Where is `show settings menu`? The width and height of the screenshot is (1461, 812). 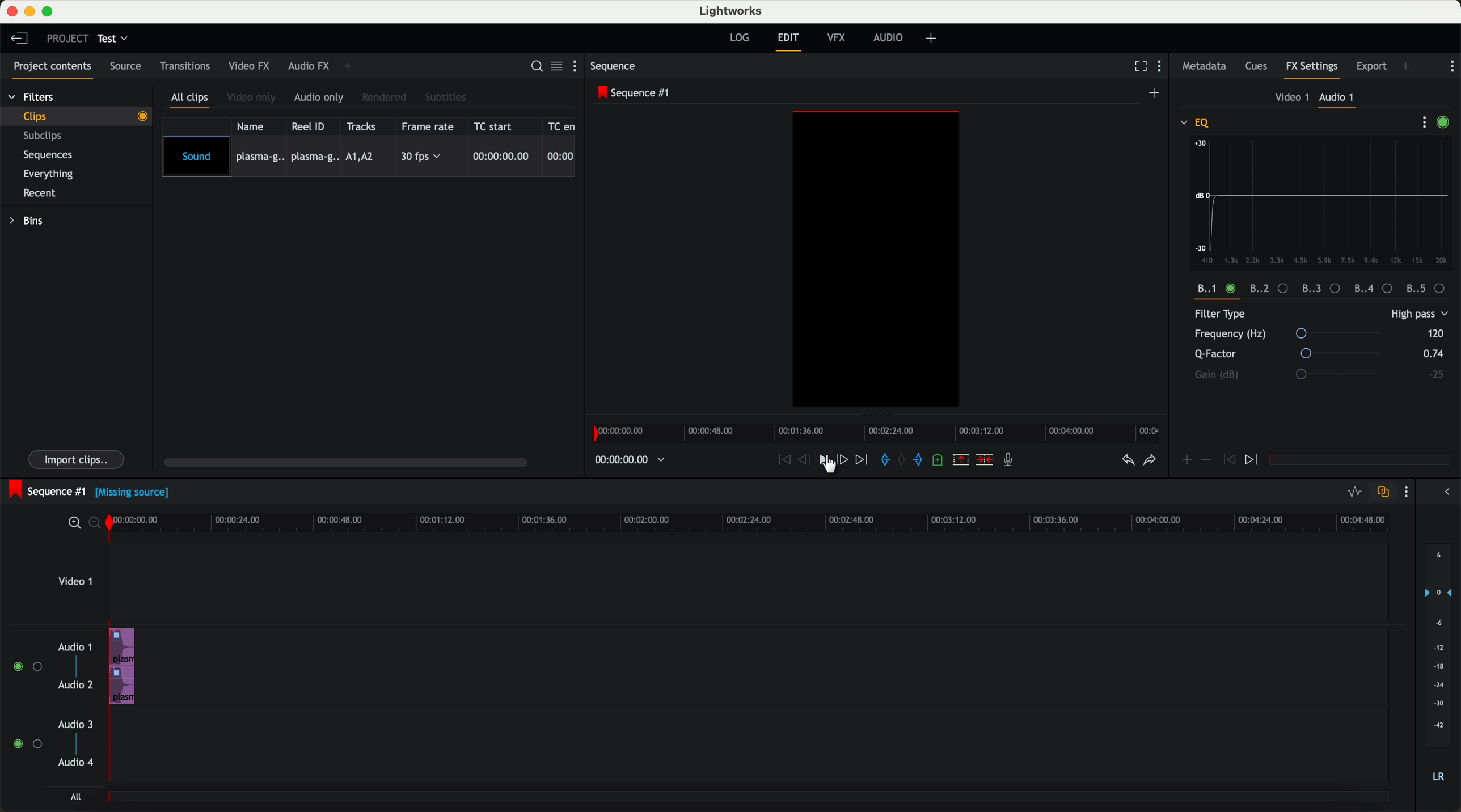
show settings menu is located at coordinates (1164, 68).